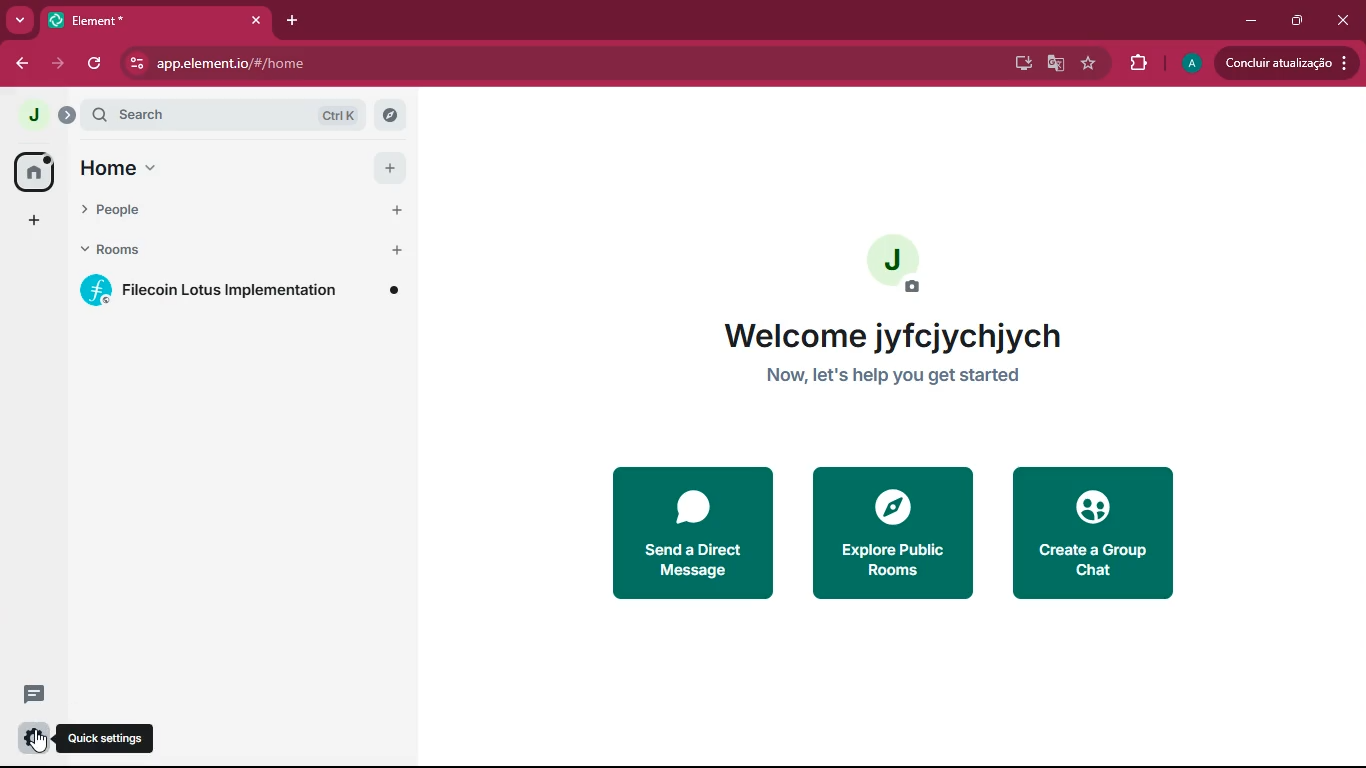  Describe the element at coordinates (236, 171) in the screenshot. I see `home` at that location.